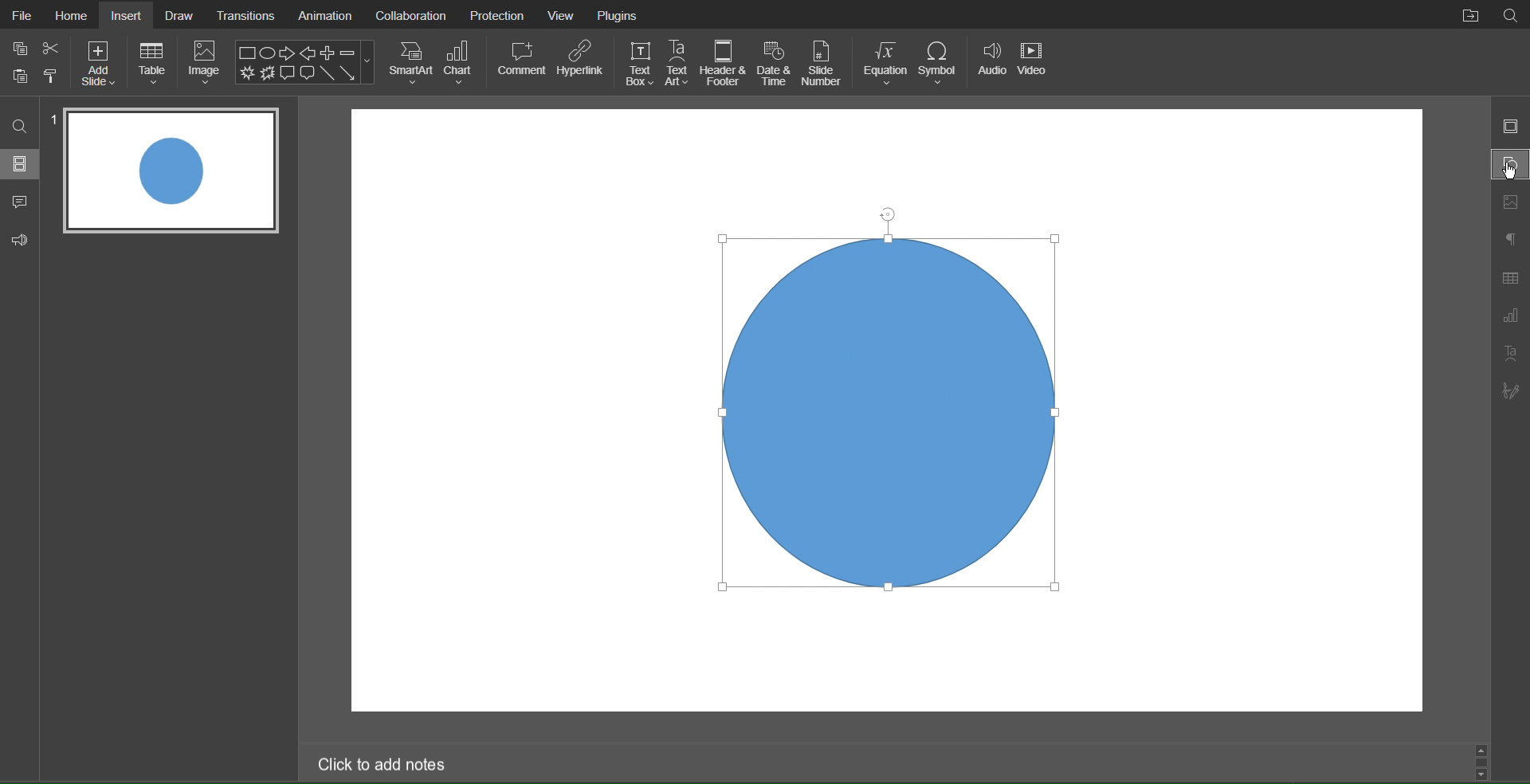  I want to click on scroll , so click(1483, 774).